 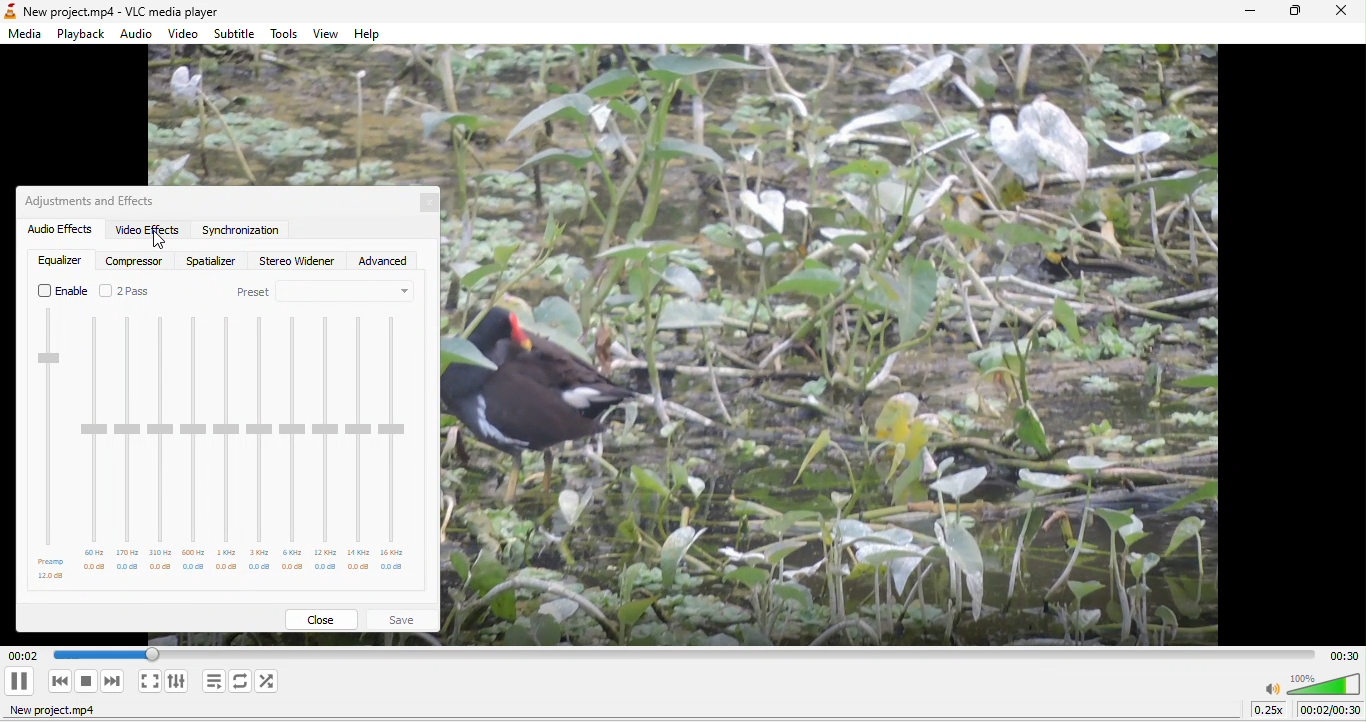 I want to click on stop playback, so click(x=88, y=683).